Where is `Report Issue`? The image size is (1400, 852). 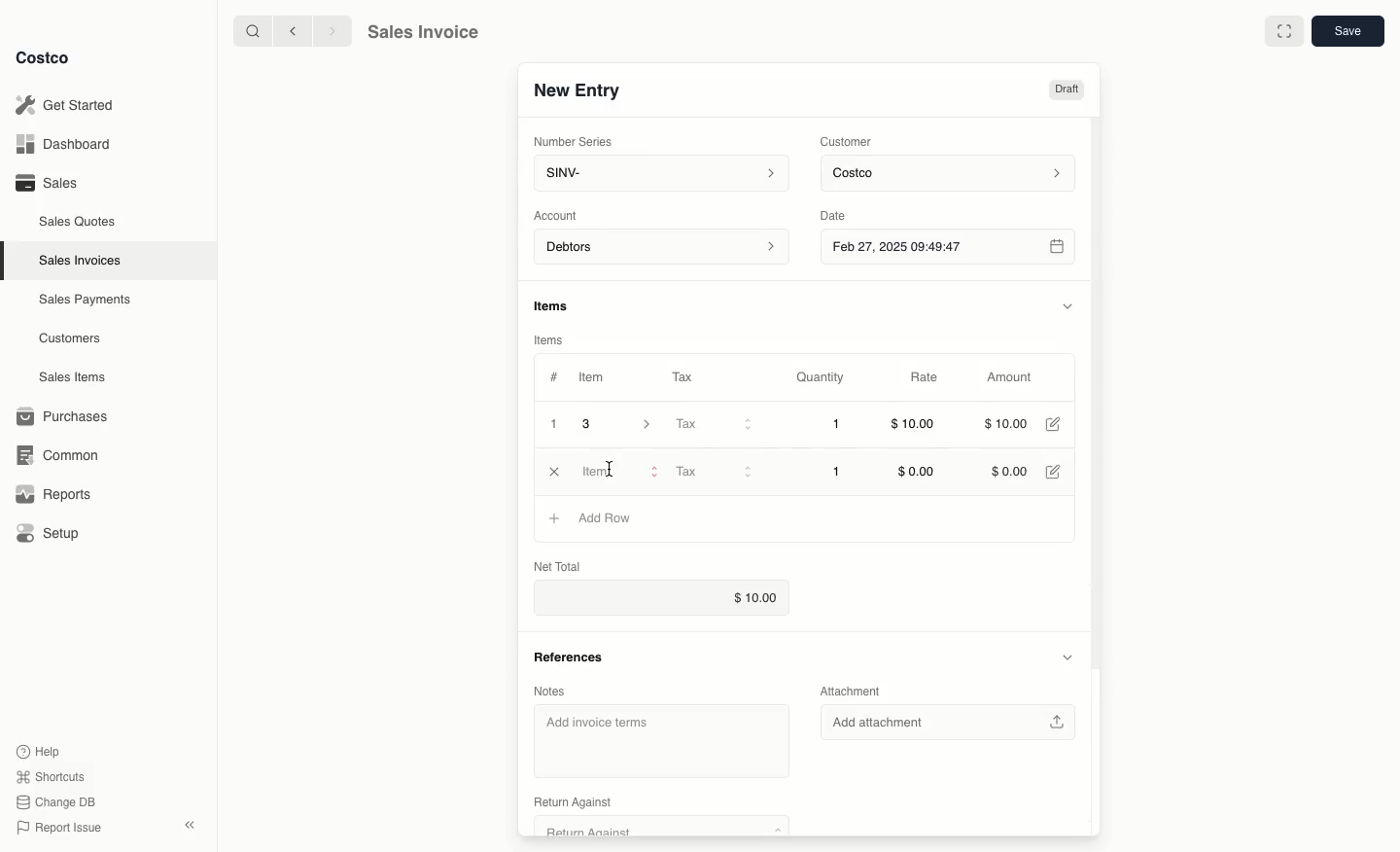 Report Issue is located at coordinates (59, 828).